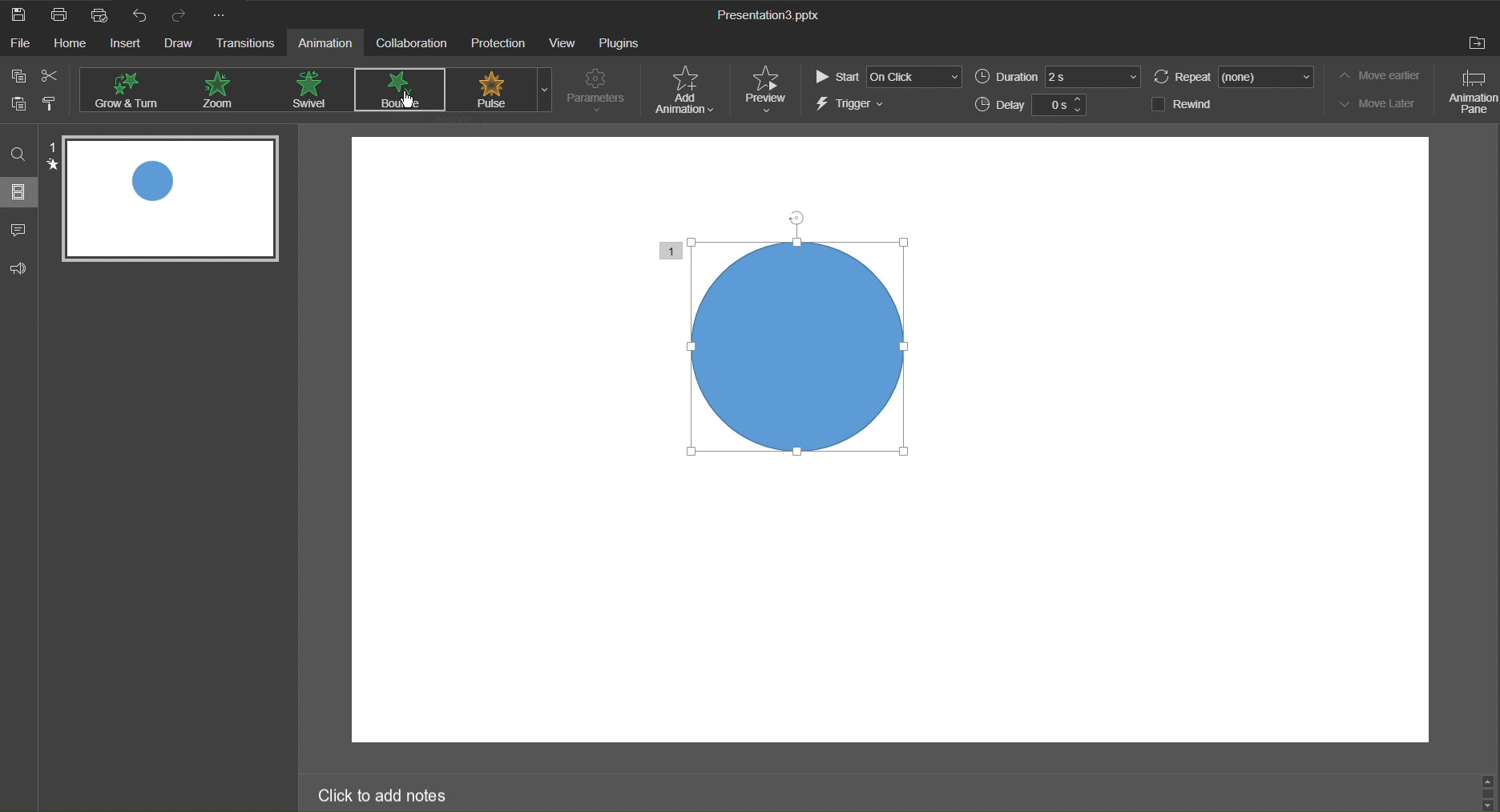 This screenshot has width=1500, height=812. Describe the element at coordinates (135, 89) in the screenshot. I see `Animations` at that location.